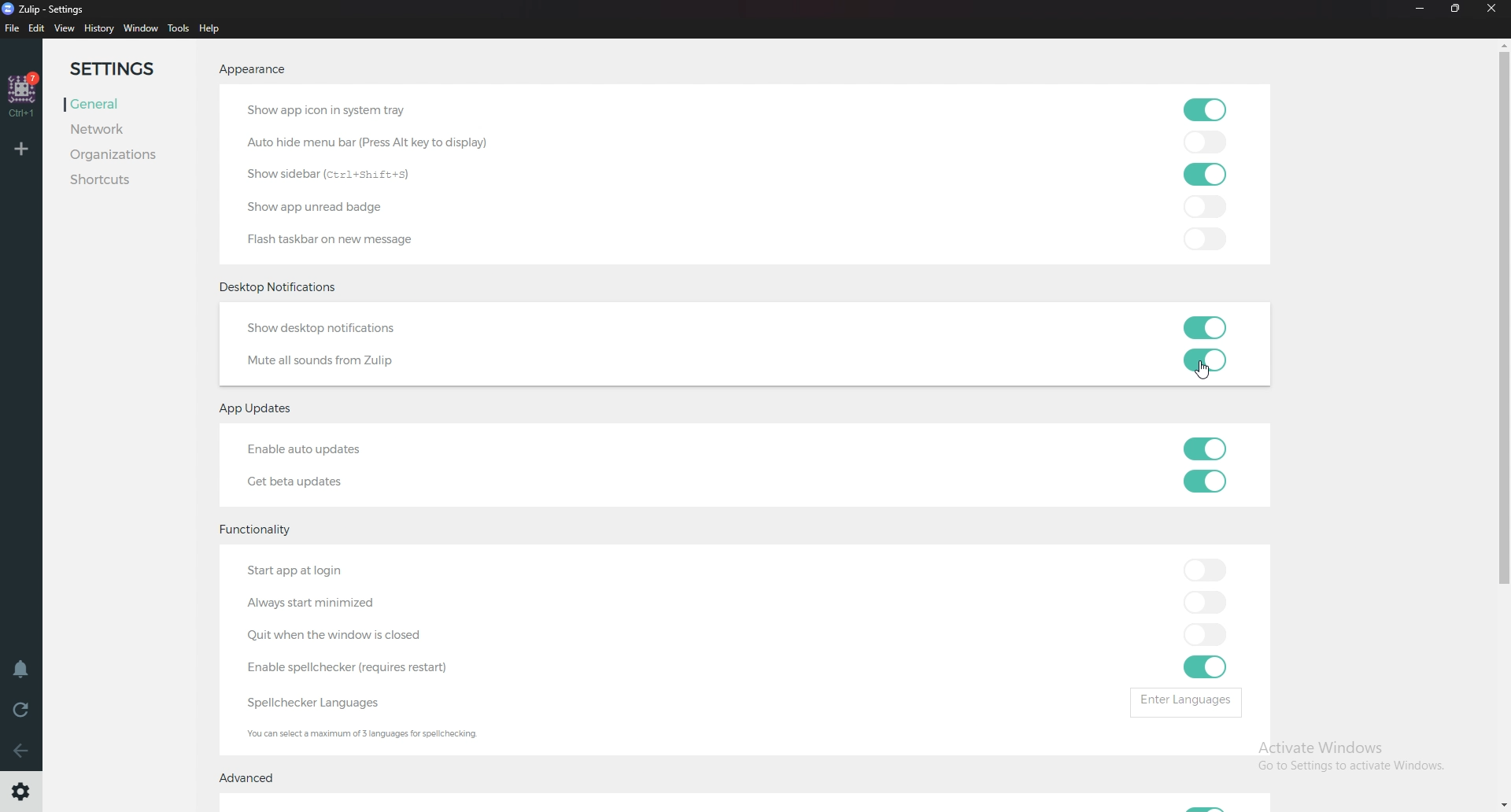 The height and width of the screenshot is (812, 1511). Describe the element at coordinates (321, 448) in the screenshot. I see `Enable auto updates` at that location.